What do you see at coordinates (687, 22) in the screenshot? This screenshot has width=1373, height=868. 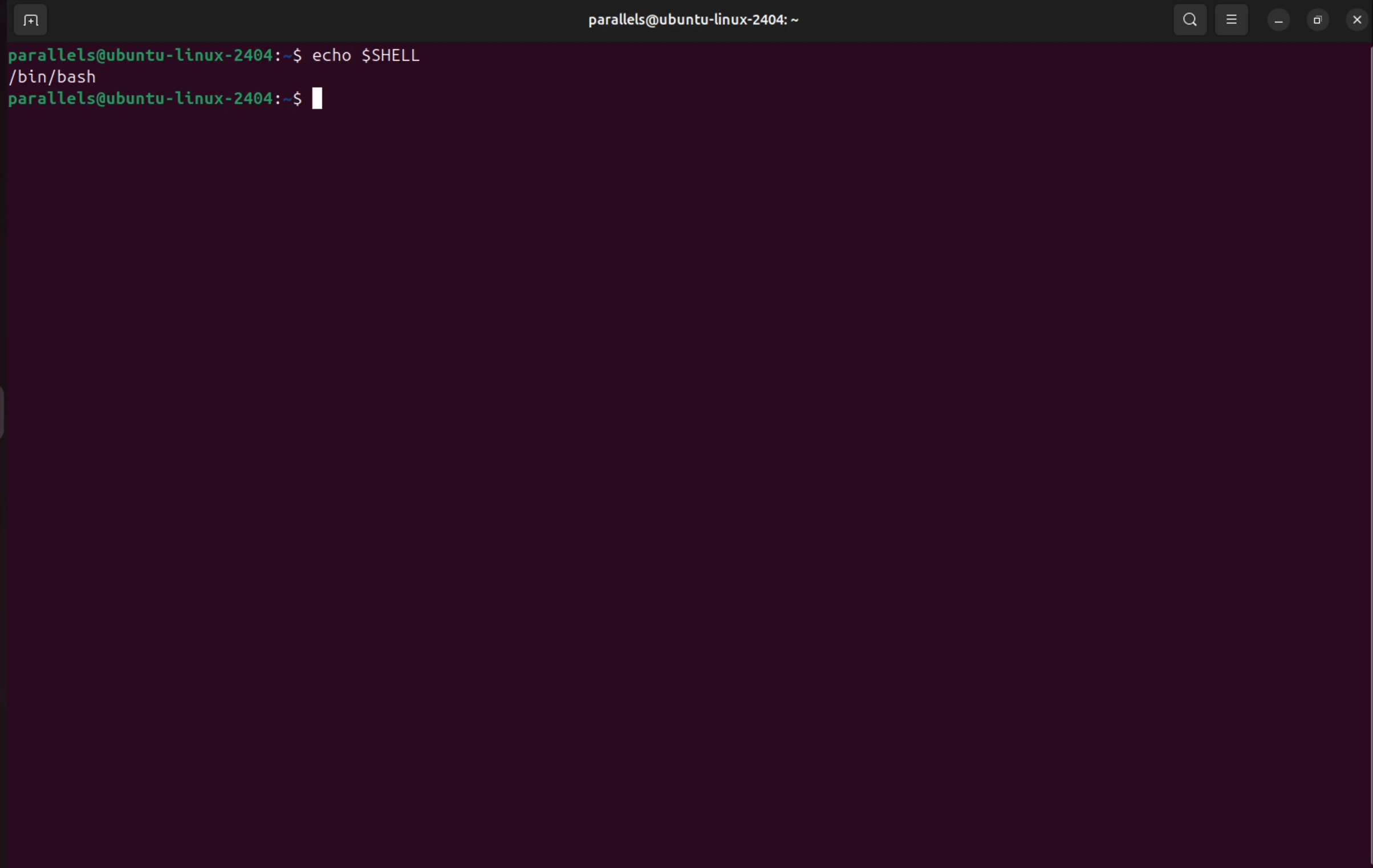 I see `pralllels userspace` at bounding box center [687, 22].